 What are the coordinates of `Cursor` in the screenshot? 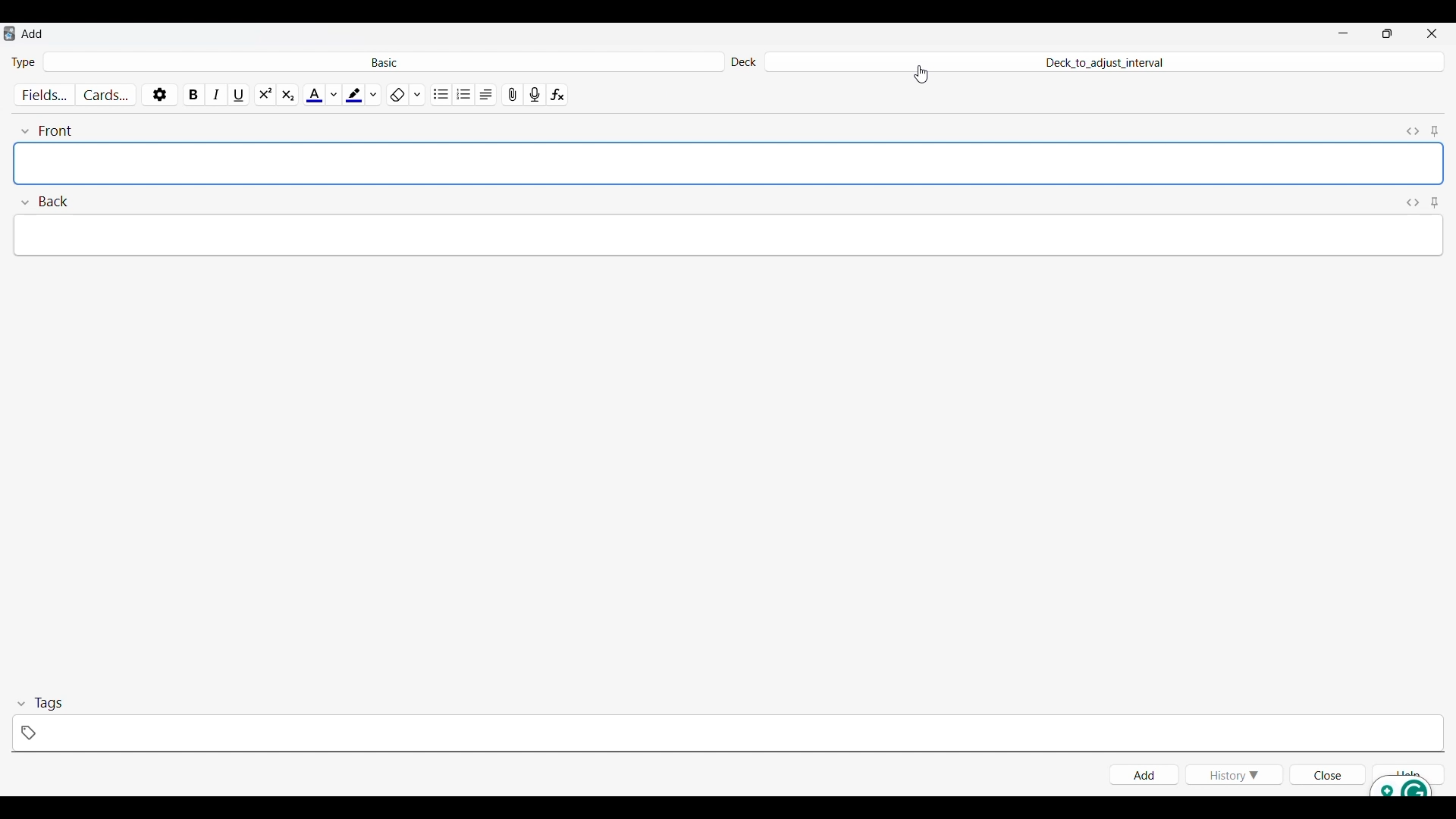 It's located at (922, 74).